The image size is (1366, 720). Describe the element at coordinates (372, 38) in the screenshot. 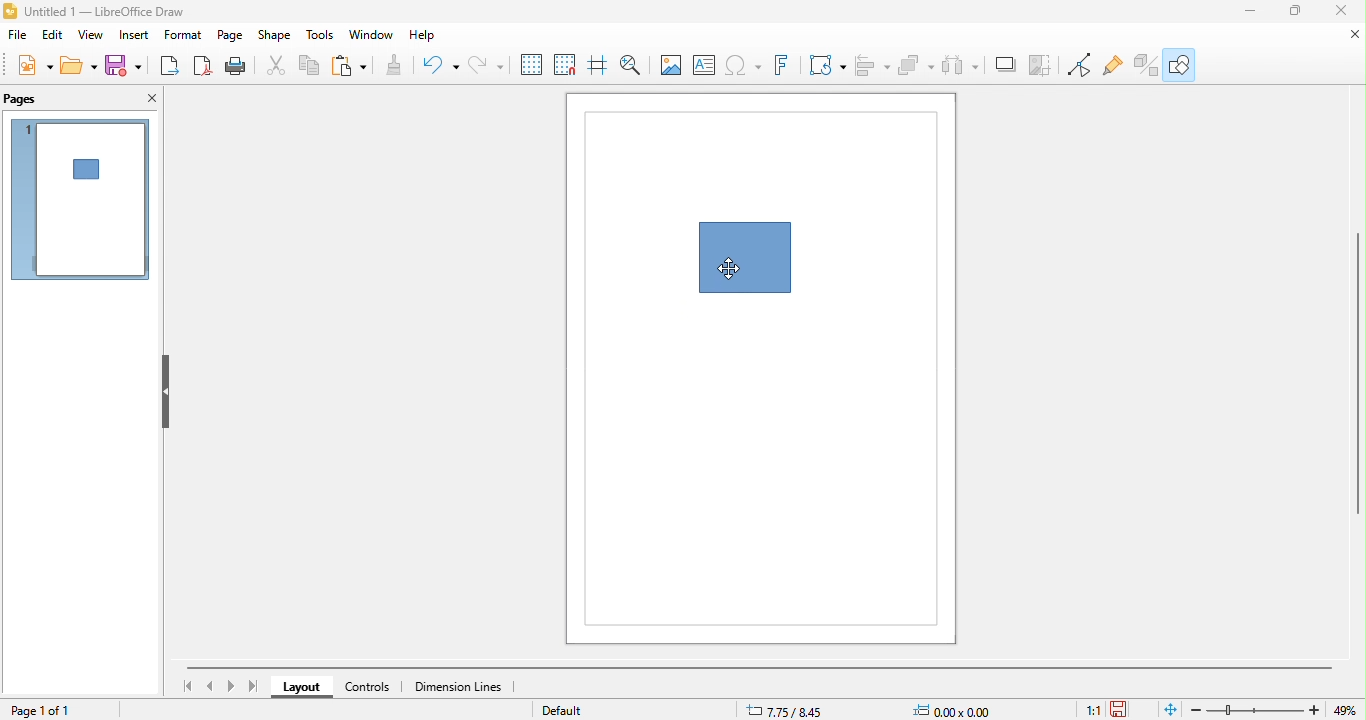

I see `window` at that location.